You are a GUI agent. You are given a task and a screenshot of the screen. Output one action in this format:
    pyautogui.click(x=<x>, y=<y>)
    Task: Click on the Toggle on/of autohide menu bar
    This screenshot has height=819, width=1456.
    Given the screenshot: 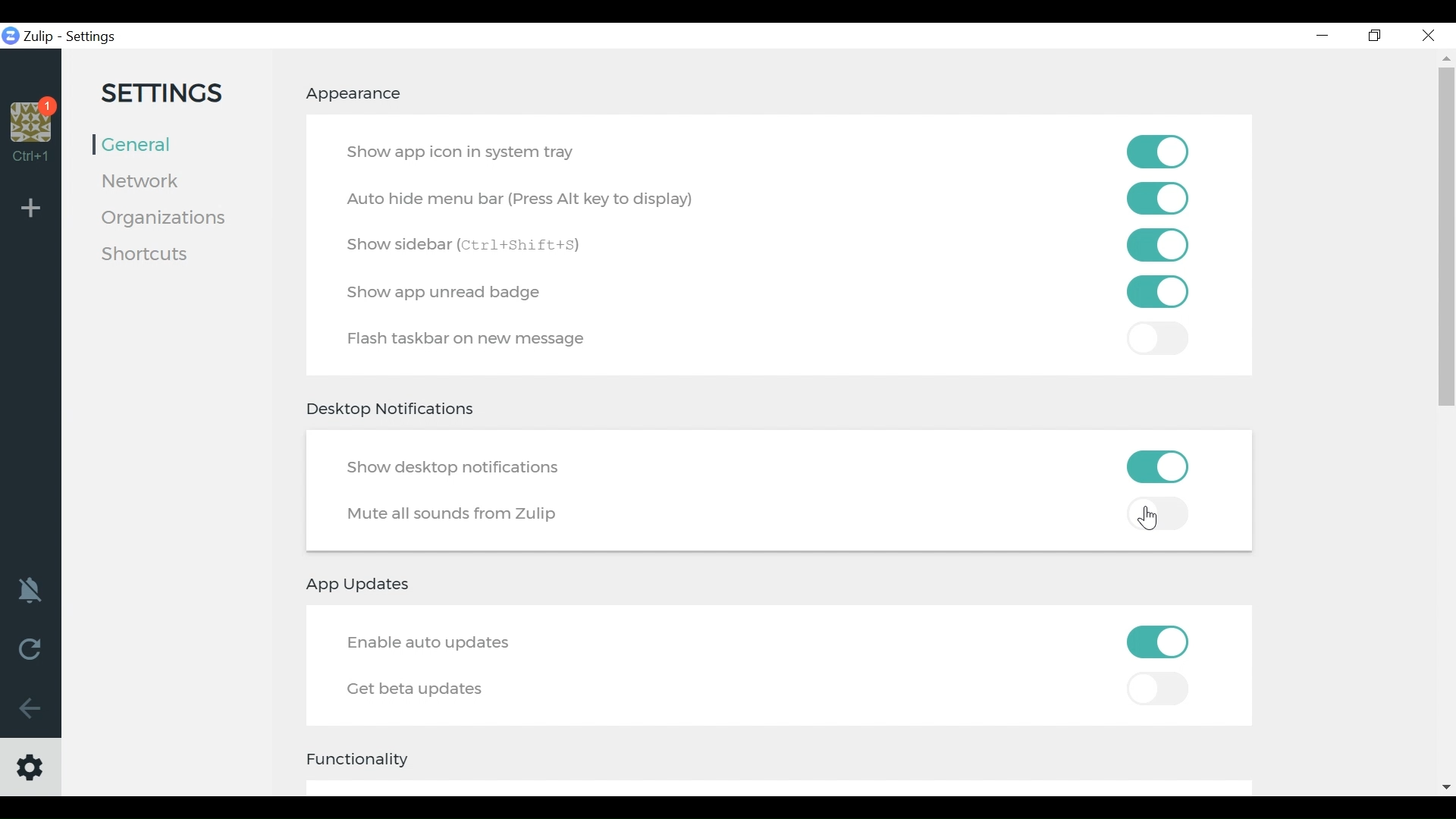 What is the action you would take?
    pyautogui.click(x=1157, y=199)
    